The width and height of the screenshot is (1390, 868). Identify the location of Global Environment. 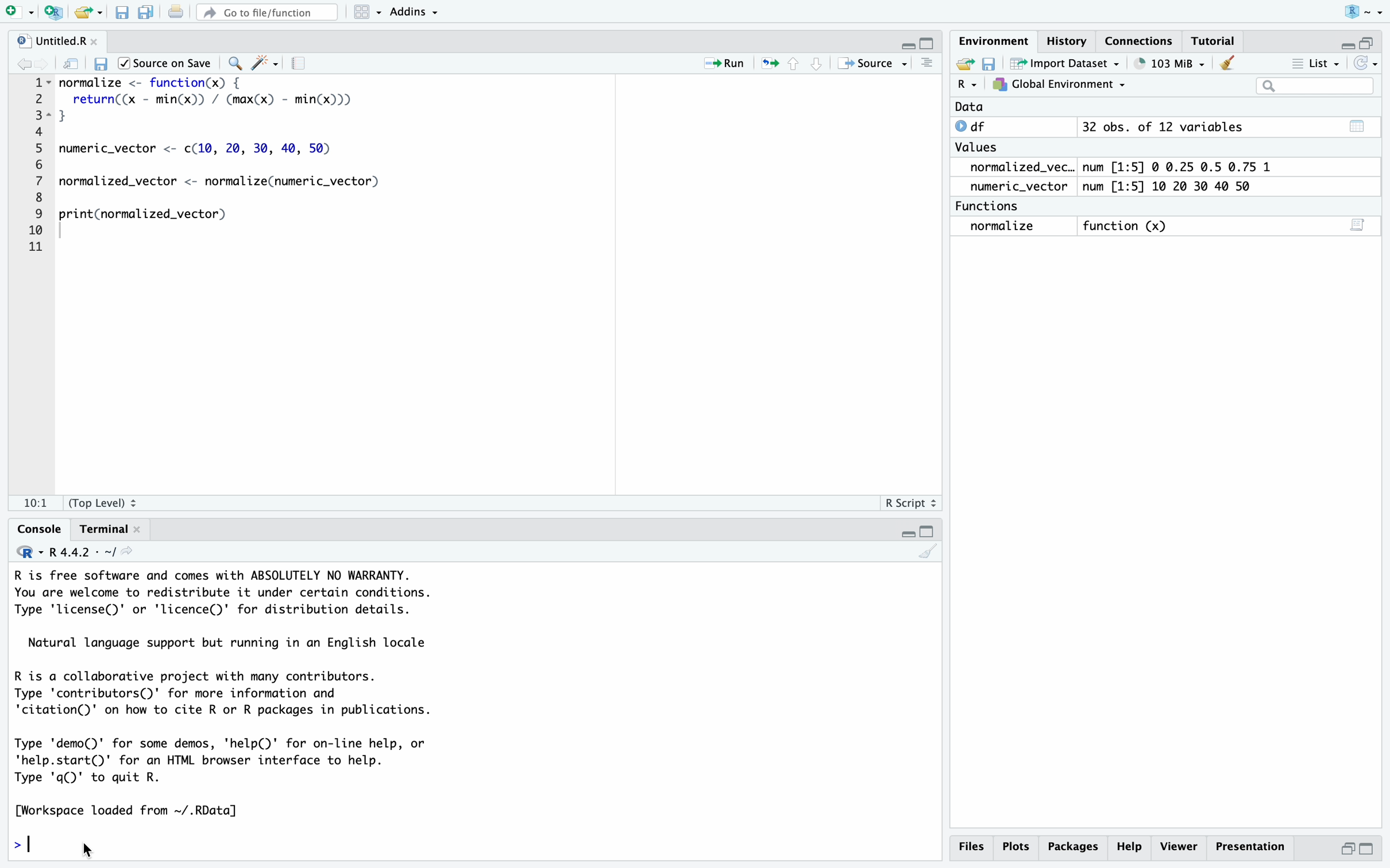
(1057, 84).